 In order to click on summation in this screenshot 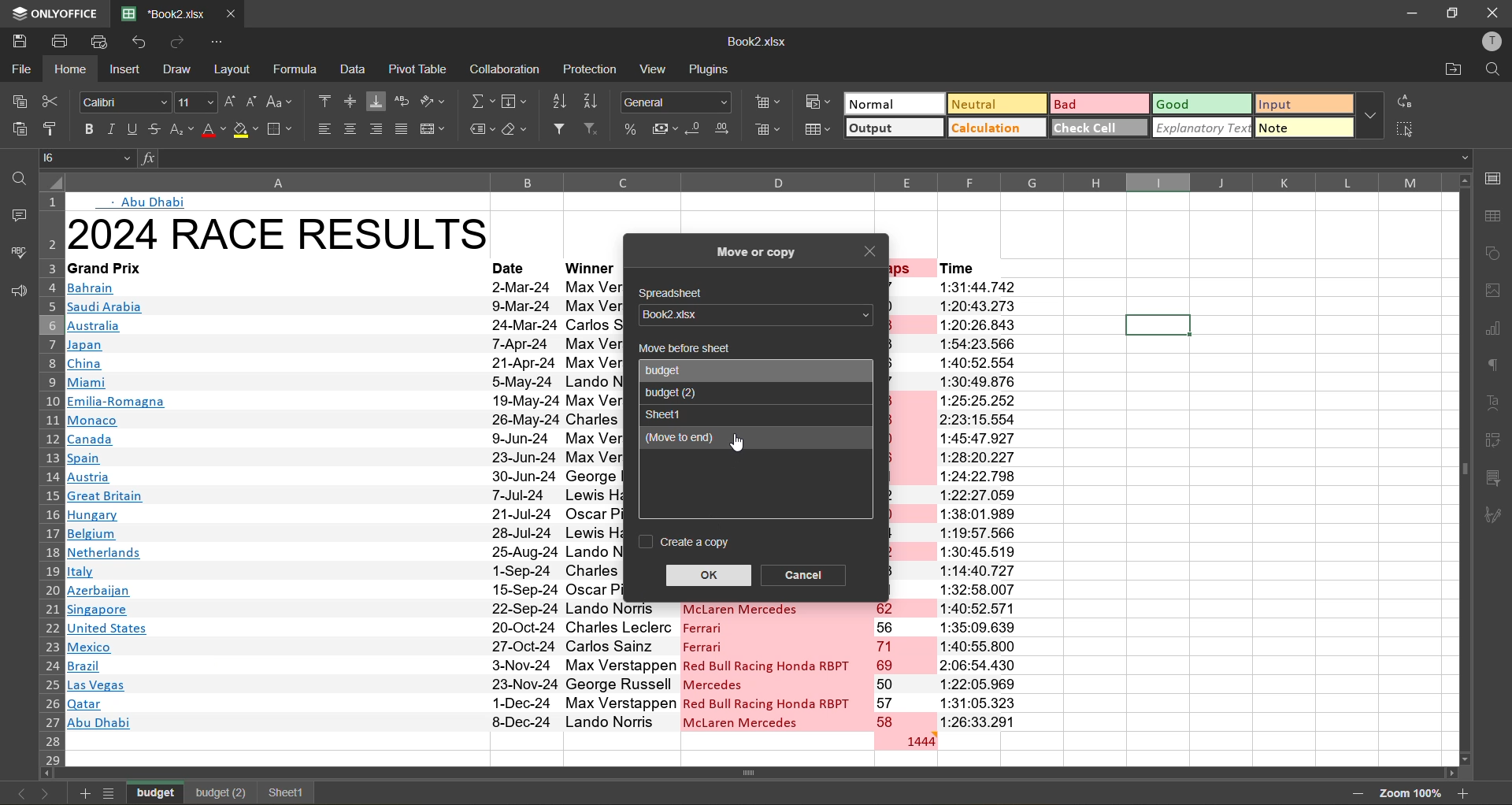, I will do `click(481, 104)`.